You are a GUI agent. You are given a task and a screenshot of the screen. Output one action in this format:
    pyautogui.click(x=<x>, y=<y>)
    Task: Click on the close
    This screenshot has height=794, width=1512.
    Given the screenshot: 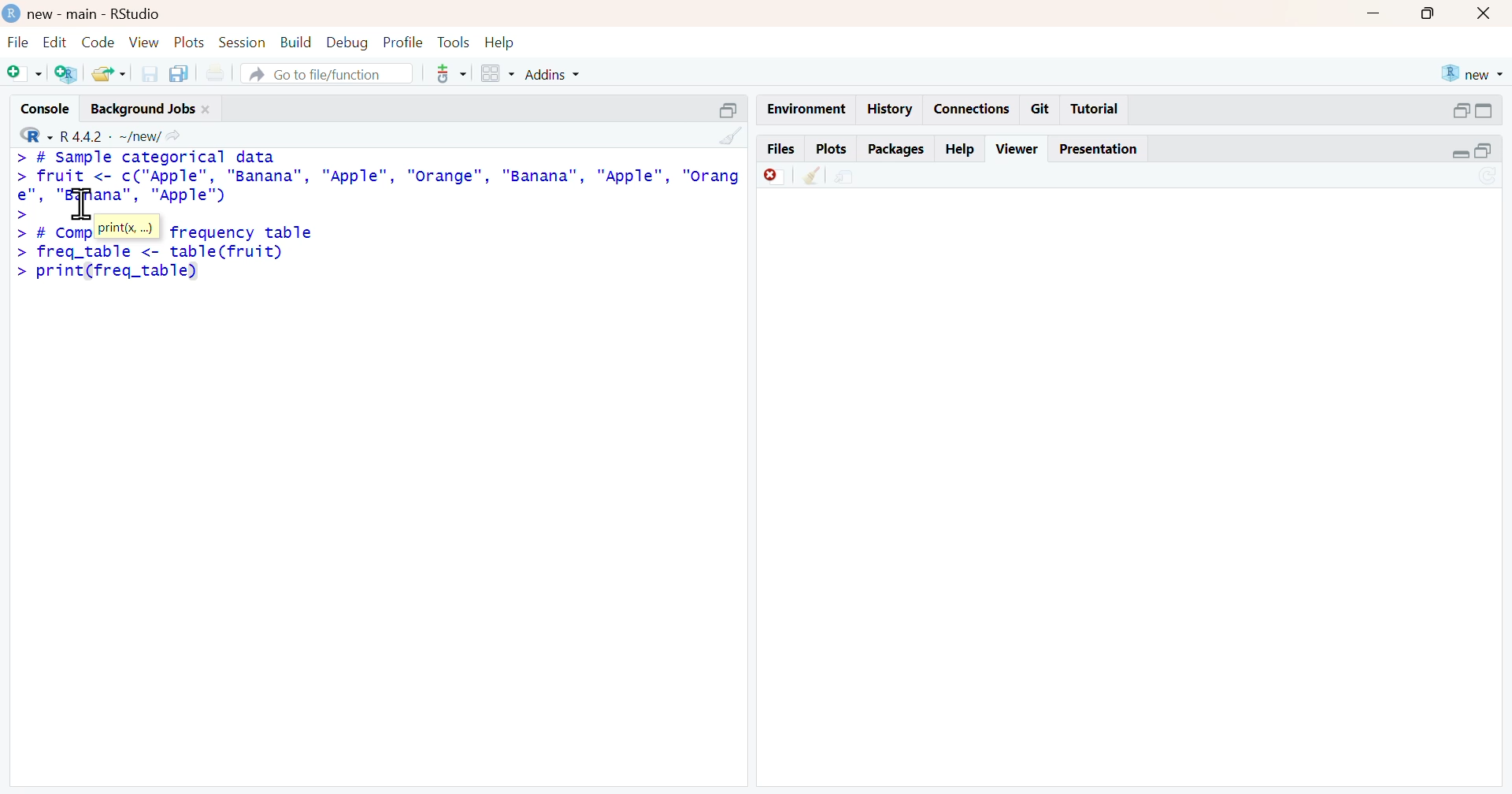 What is the action you would take?
    pyautogui.click(x=1488, y=15)
    